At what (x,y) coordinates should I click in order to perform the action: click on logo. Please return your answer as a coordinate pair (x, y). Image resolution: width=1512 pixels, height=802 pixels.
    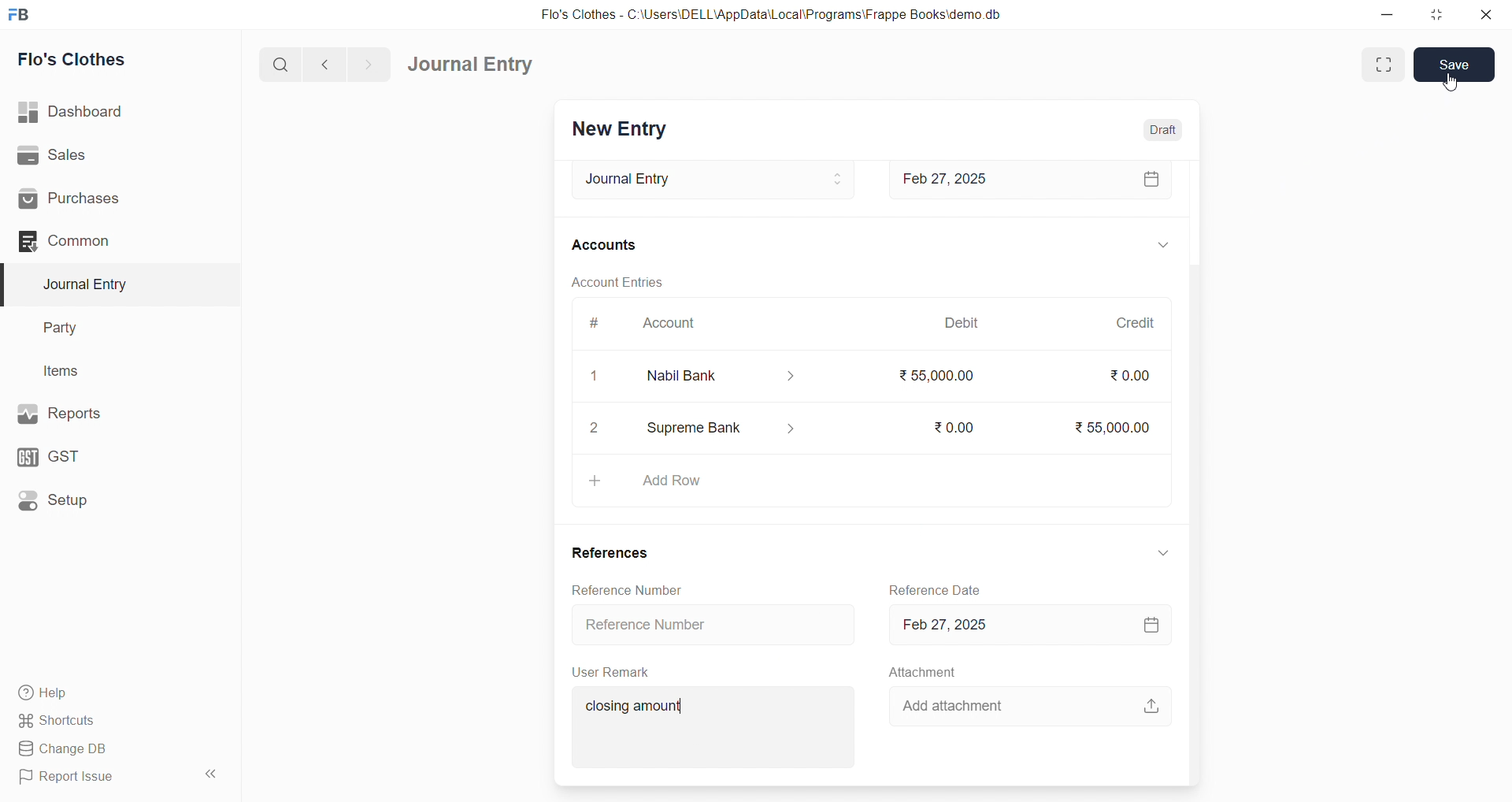
    Looking at the image, I should click on (24, 13).